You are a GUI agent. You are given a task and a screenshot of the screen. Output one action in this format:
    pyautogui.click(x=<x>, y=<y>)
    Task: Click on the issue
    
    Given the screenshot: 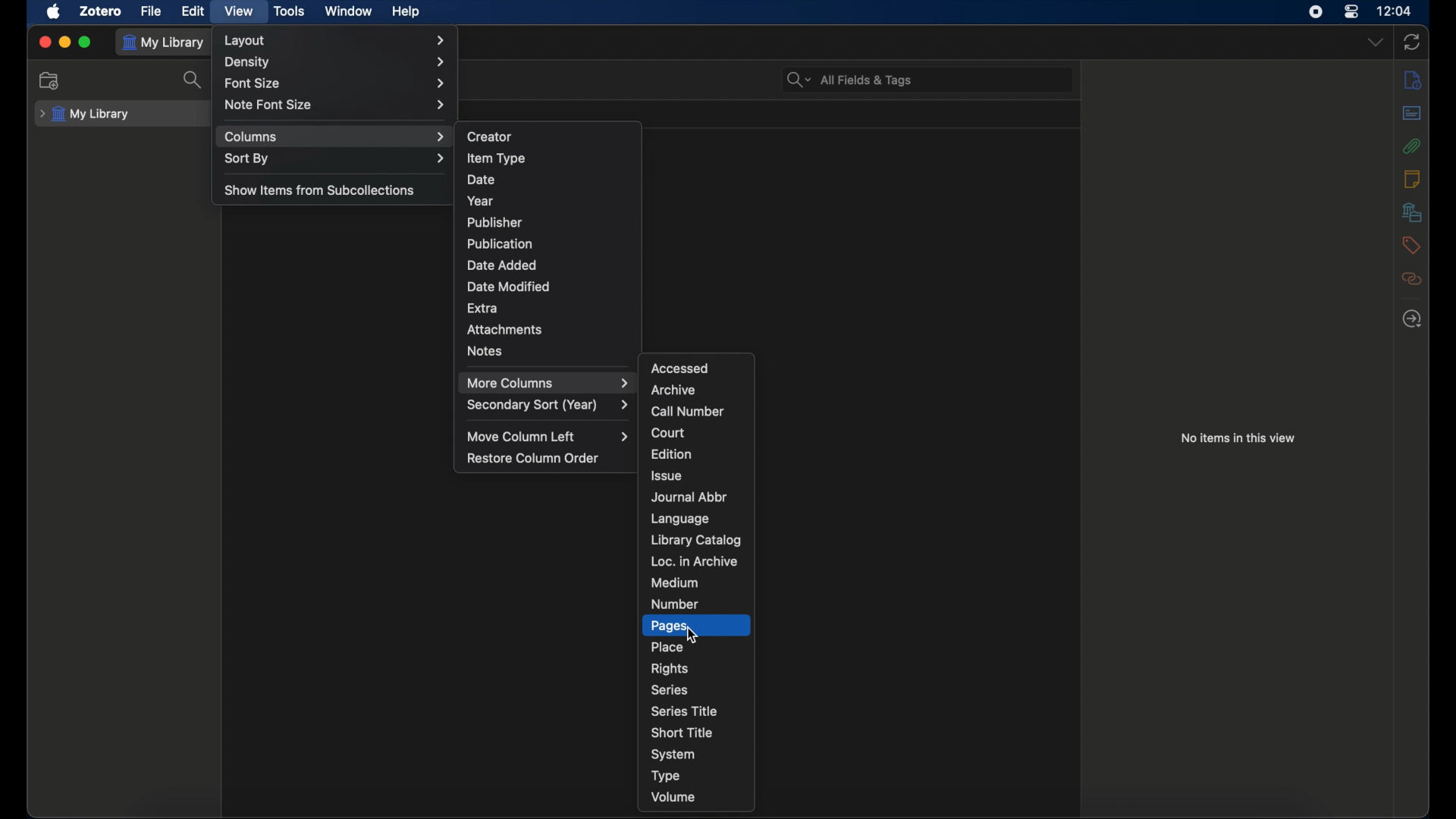 What is the action you would take?
    pyautogui.click(x=665, y=475)
    